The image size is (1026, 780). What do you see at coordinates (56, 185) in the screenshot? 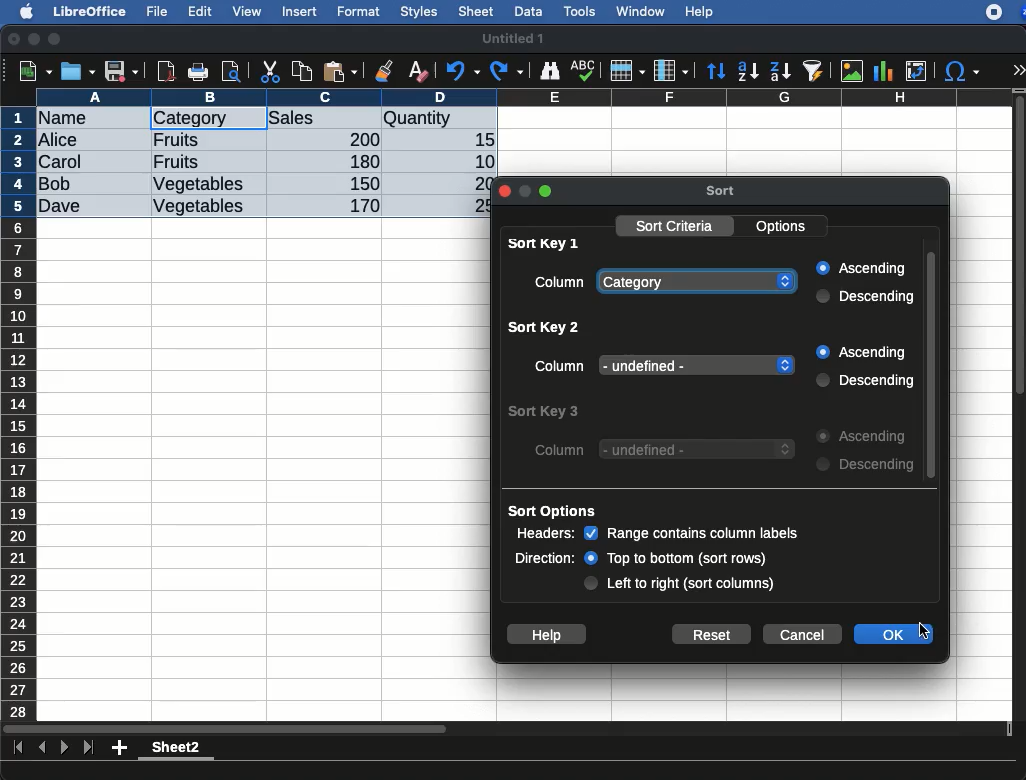
I see `Bob` at bounding box center [56, 185].